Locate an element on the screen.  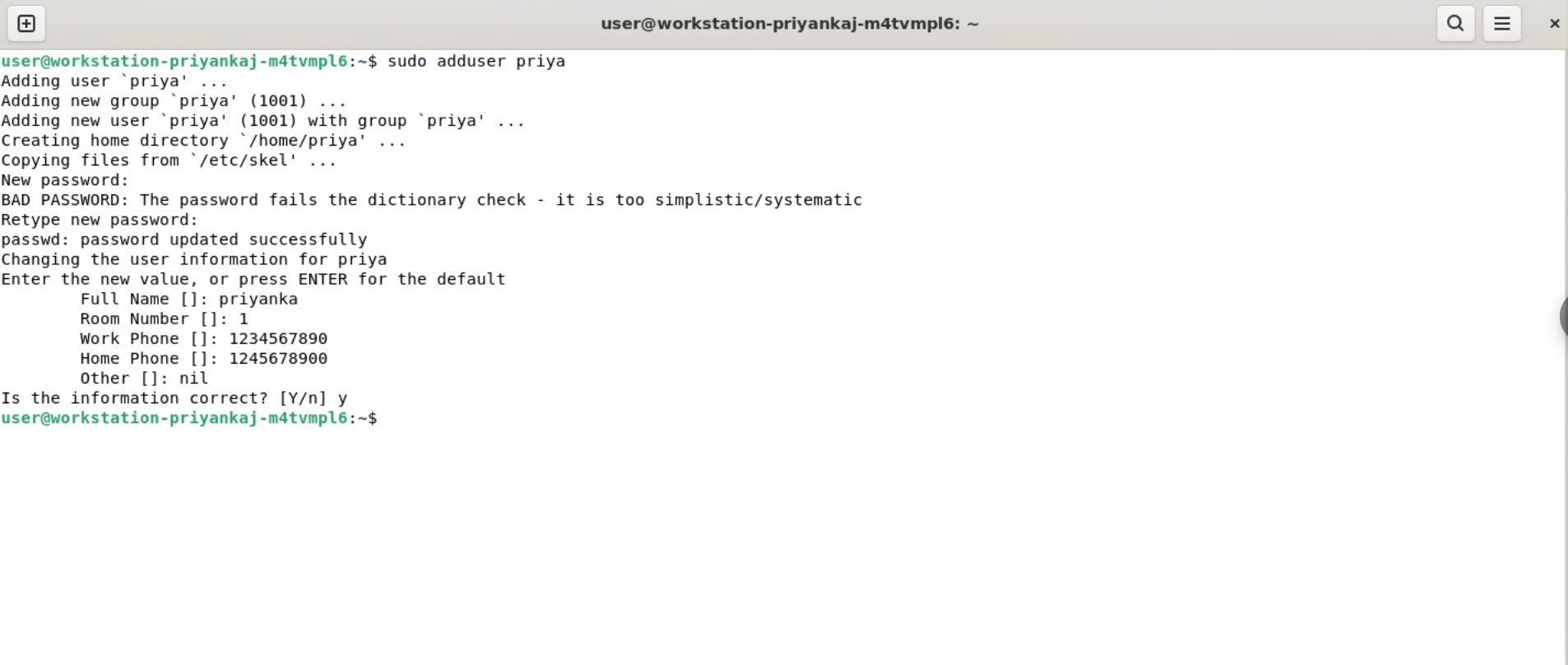
Adding user ‘priya’ ...

Adding new group ‘priya’ (1001) ...

Adding new user ‘priya' (1001) with group ‘priya’ ...
Creating home directory /home/priya’ ...

Copving files from "/etc/skel' ... is located at coordinates (318, 119).